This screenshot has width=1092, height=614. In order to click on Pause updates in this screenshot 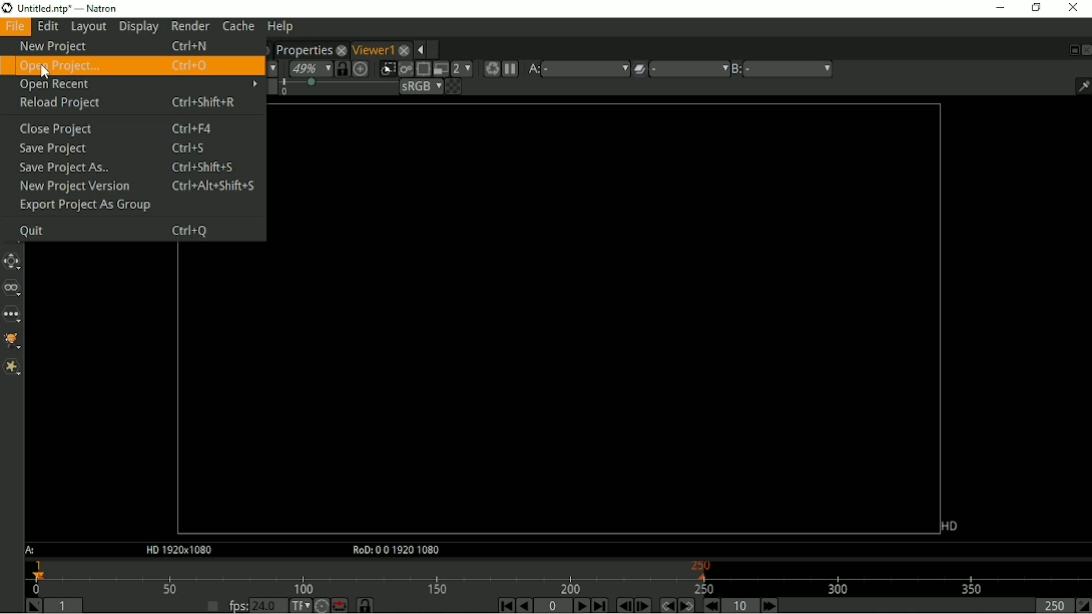, I will do `click(510, 69)`.